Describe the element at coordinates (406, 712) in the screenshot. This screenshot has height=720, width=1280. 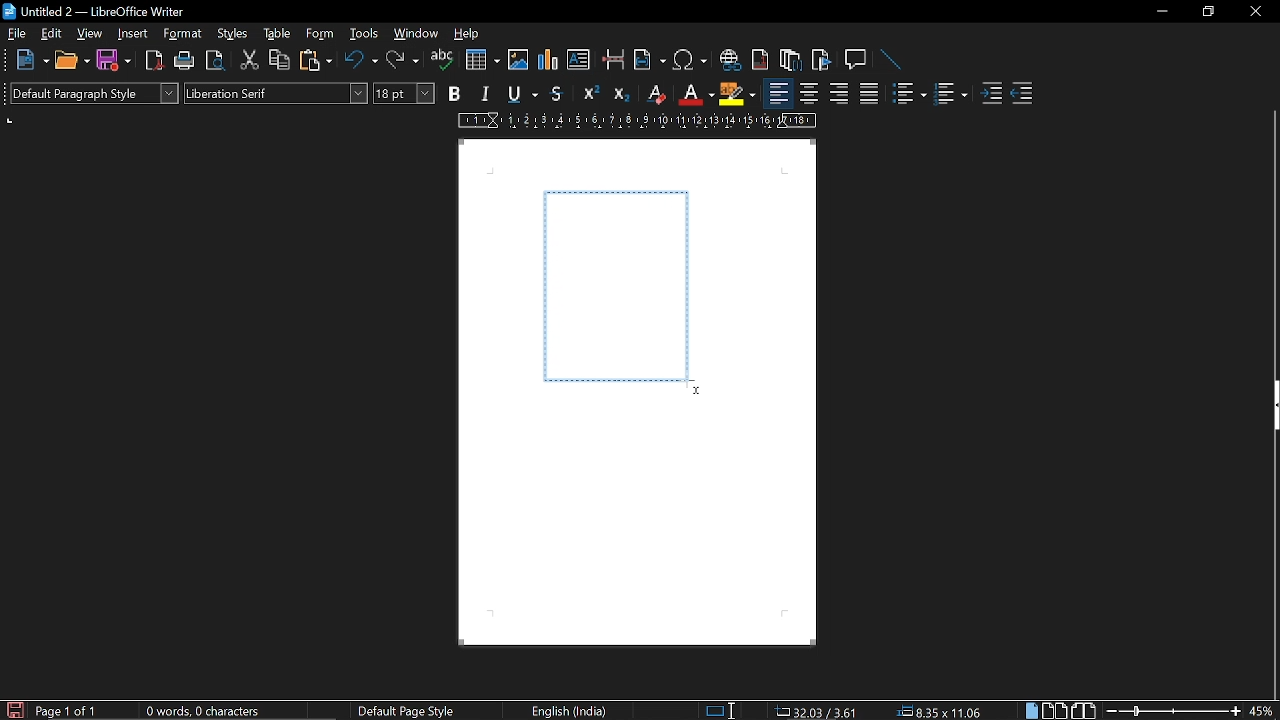
I see `Default: page style` at that location.